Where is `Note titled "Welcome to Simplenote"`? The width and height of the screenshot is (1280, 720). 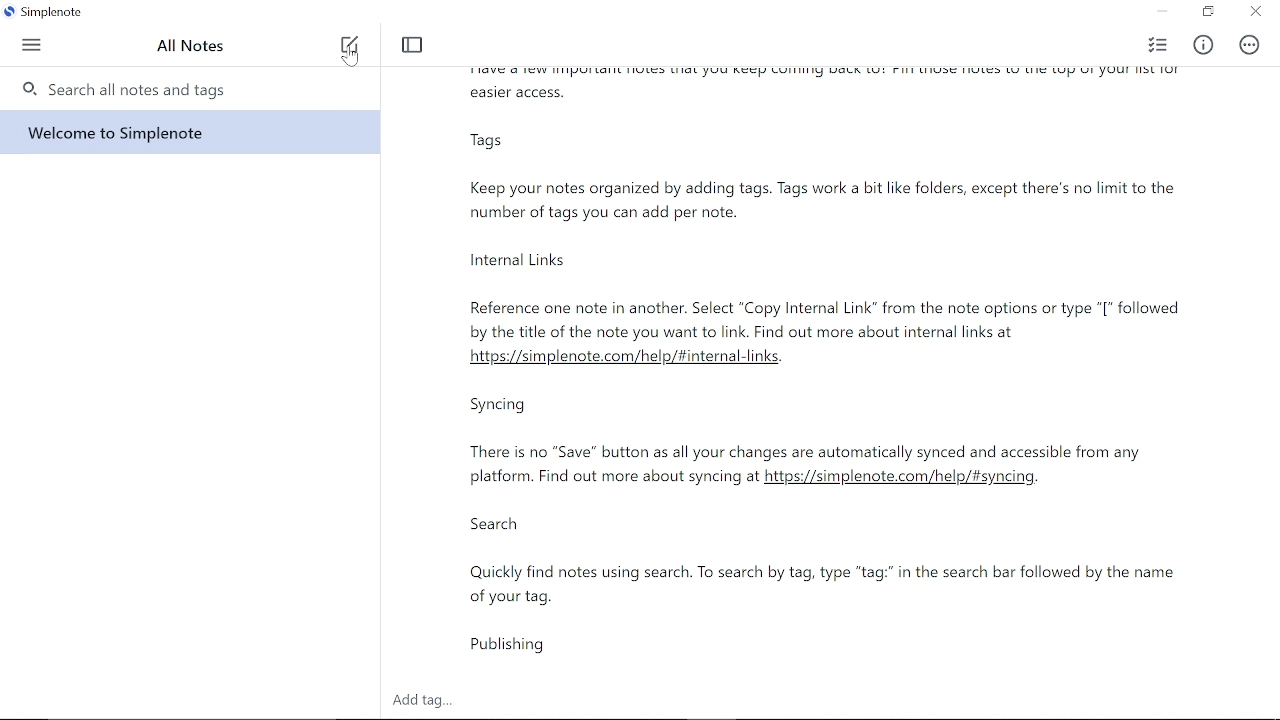
Note titled "Welcome to Simplenote" is located at coordinates (190, 132).